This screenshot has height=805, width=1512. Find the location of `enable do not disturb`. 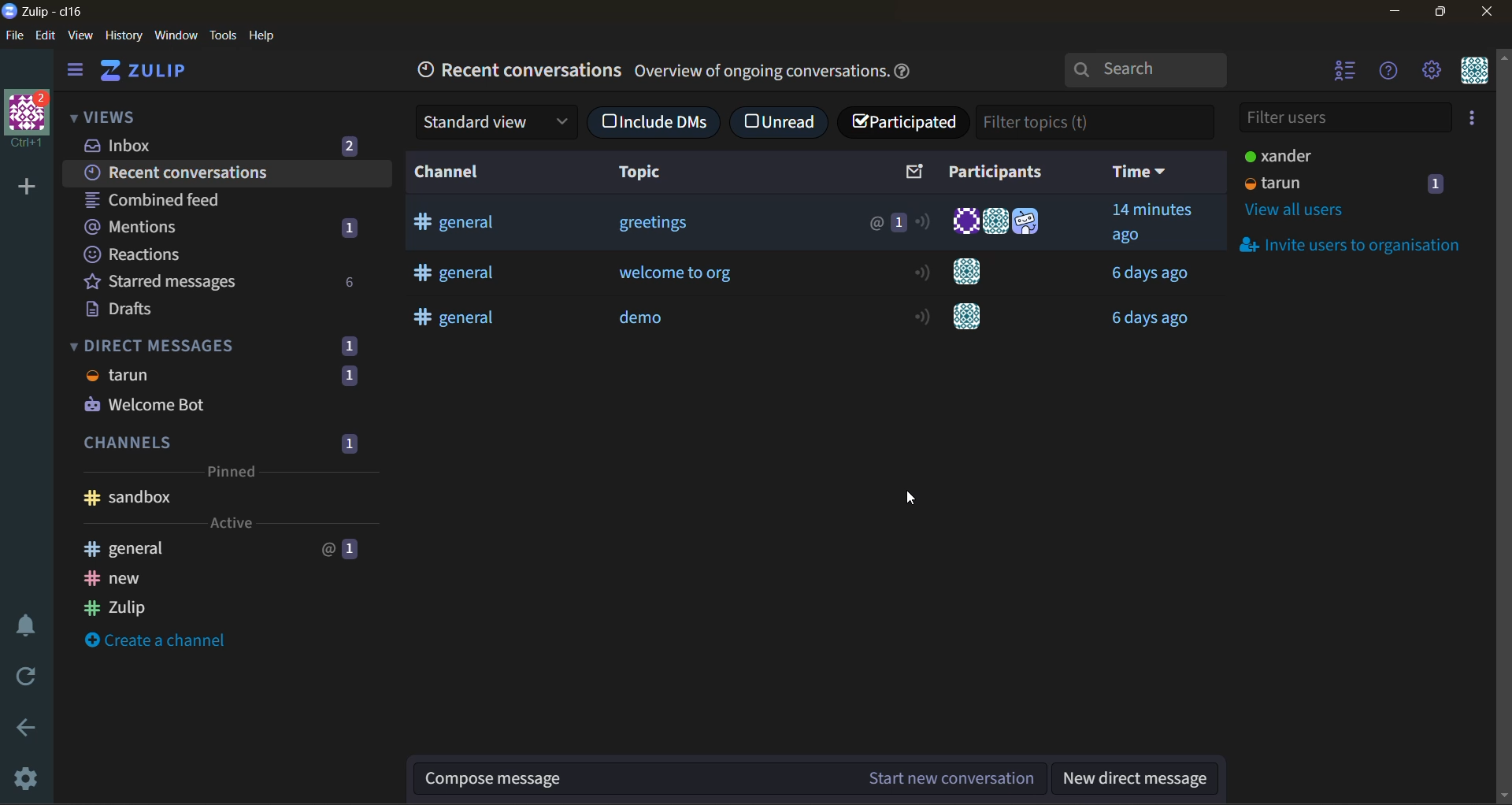

enable do not disturb is located at coordinates (32, 626).